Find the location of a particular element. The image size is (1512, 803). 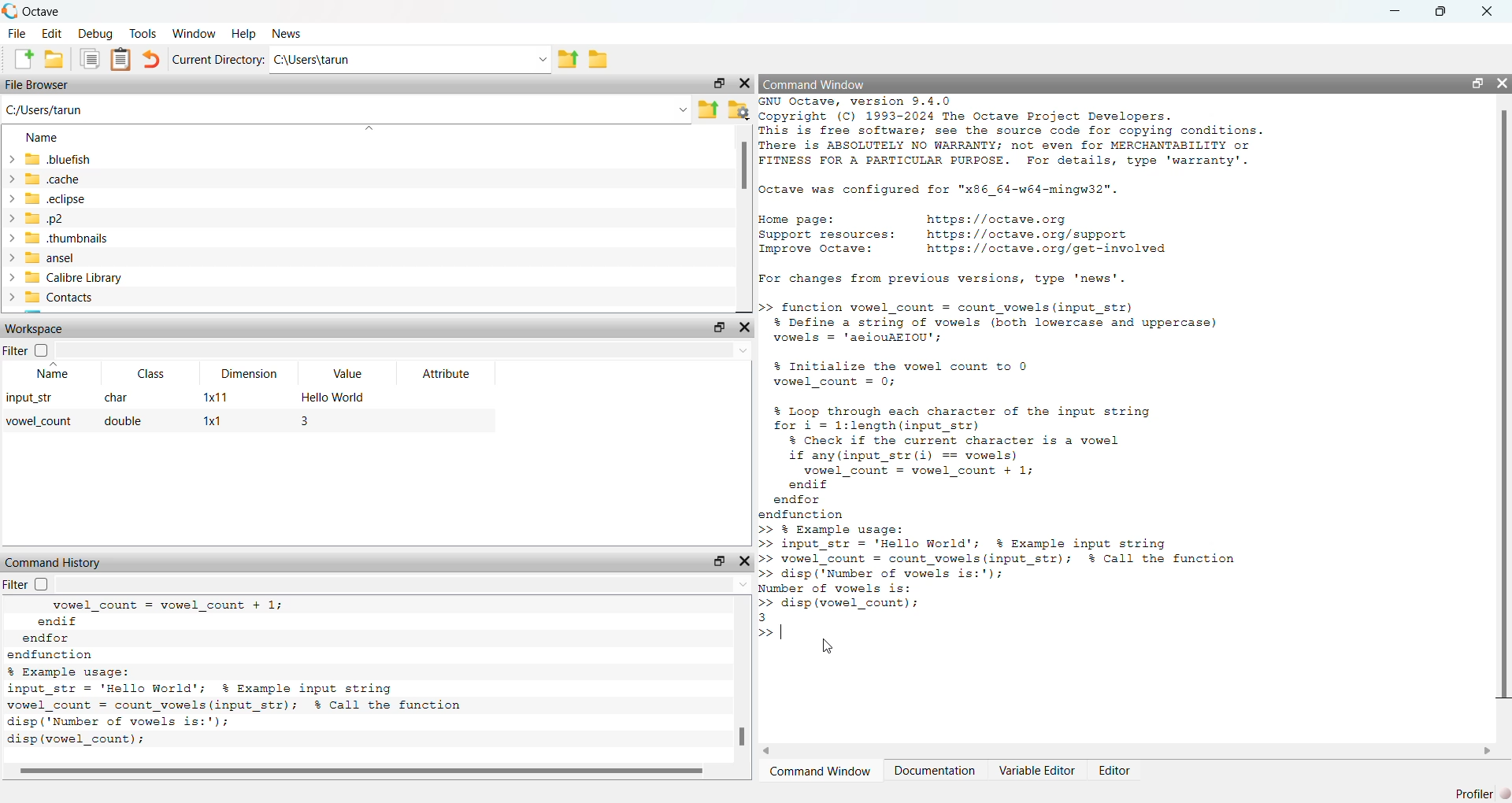

vowel_count is located at coordinates (39, 422).